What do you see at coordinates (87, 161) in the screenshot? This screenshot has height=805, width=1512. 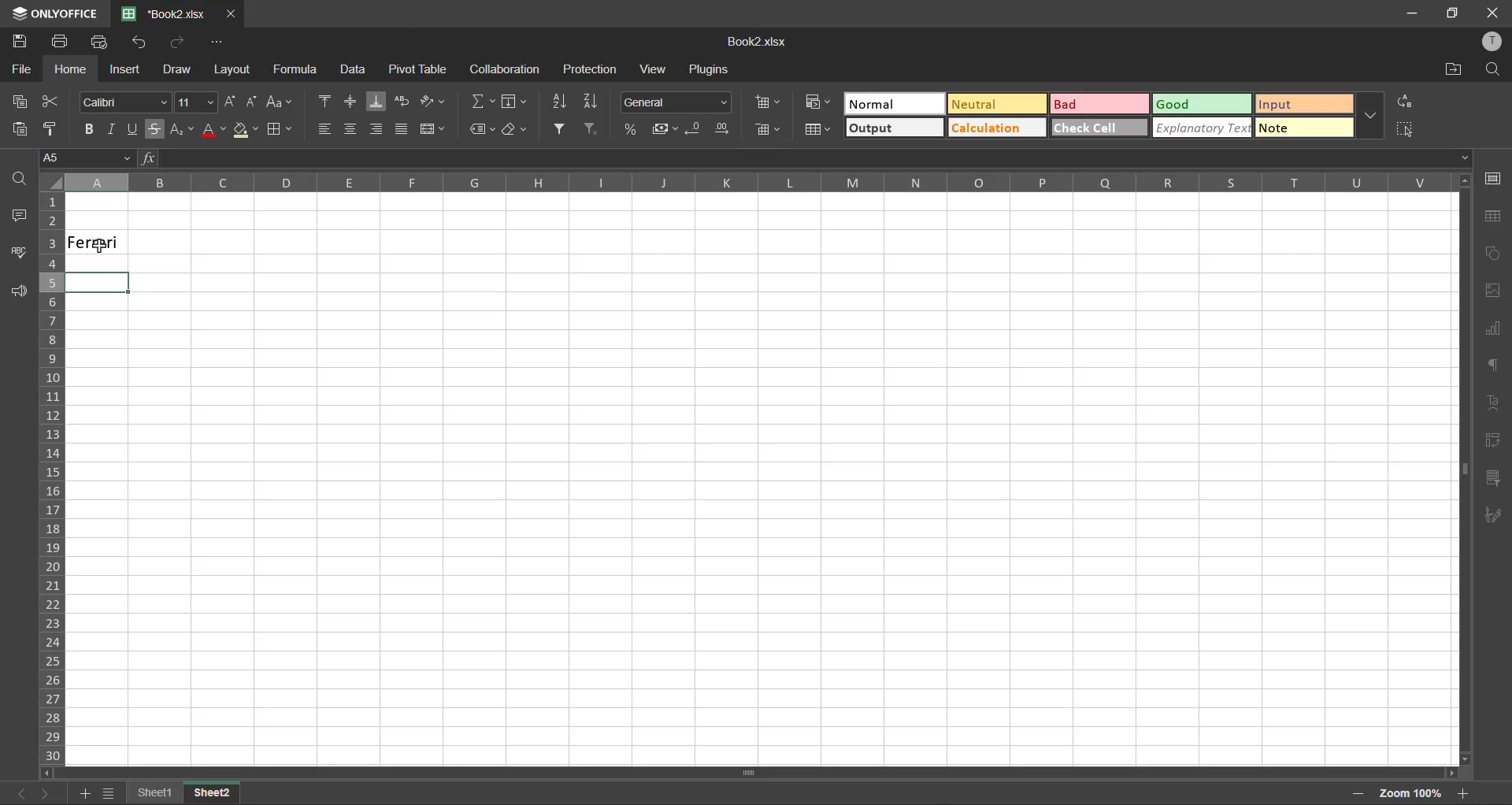 I see `cell address` at bounding box center [87, 161].